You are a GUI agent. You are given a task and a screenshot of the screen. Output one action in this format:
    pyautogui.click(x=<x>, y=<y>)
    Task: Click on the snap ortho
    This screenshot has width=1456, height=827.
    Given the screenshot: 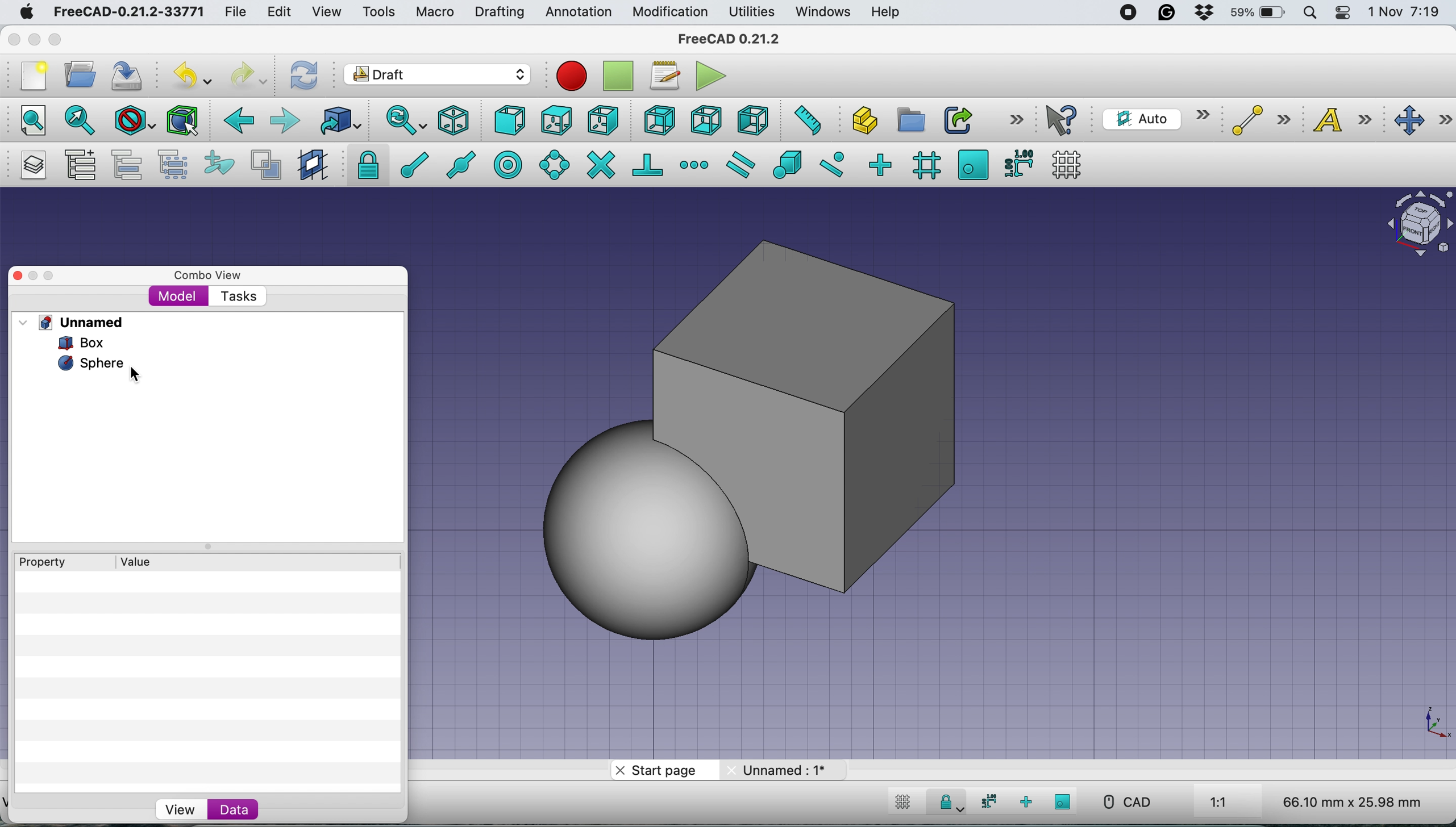 What is the action you would take?
    pyautogui.click(x=879, y=164)
    